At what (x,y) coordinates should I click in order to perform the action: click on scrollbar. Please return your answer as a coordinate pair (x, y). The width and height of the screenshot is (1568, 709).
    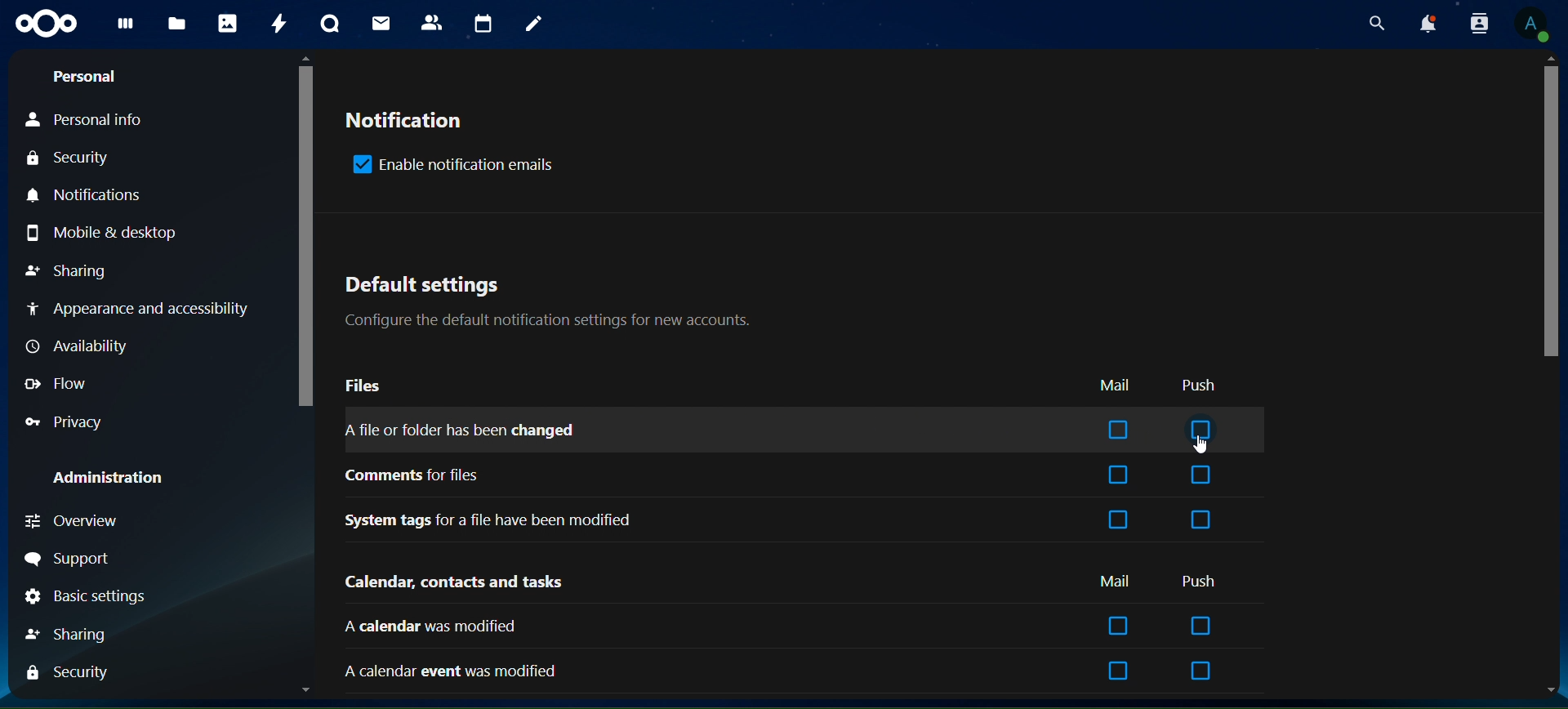
    Looking at the image, I should click on (1550, 212).